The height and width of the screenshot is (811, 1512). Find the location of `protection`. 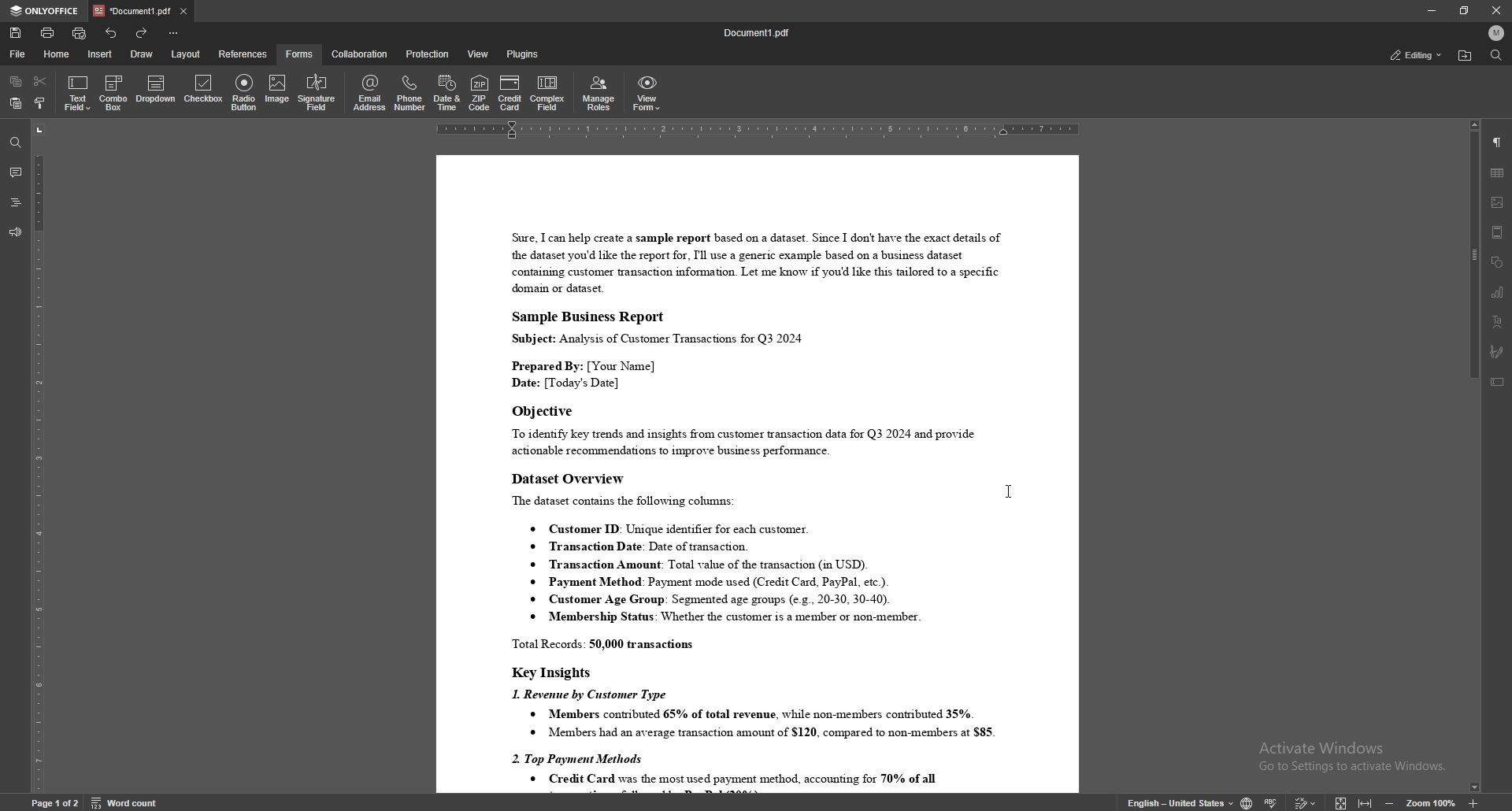

protection is located at coordinates (429, 54).